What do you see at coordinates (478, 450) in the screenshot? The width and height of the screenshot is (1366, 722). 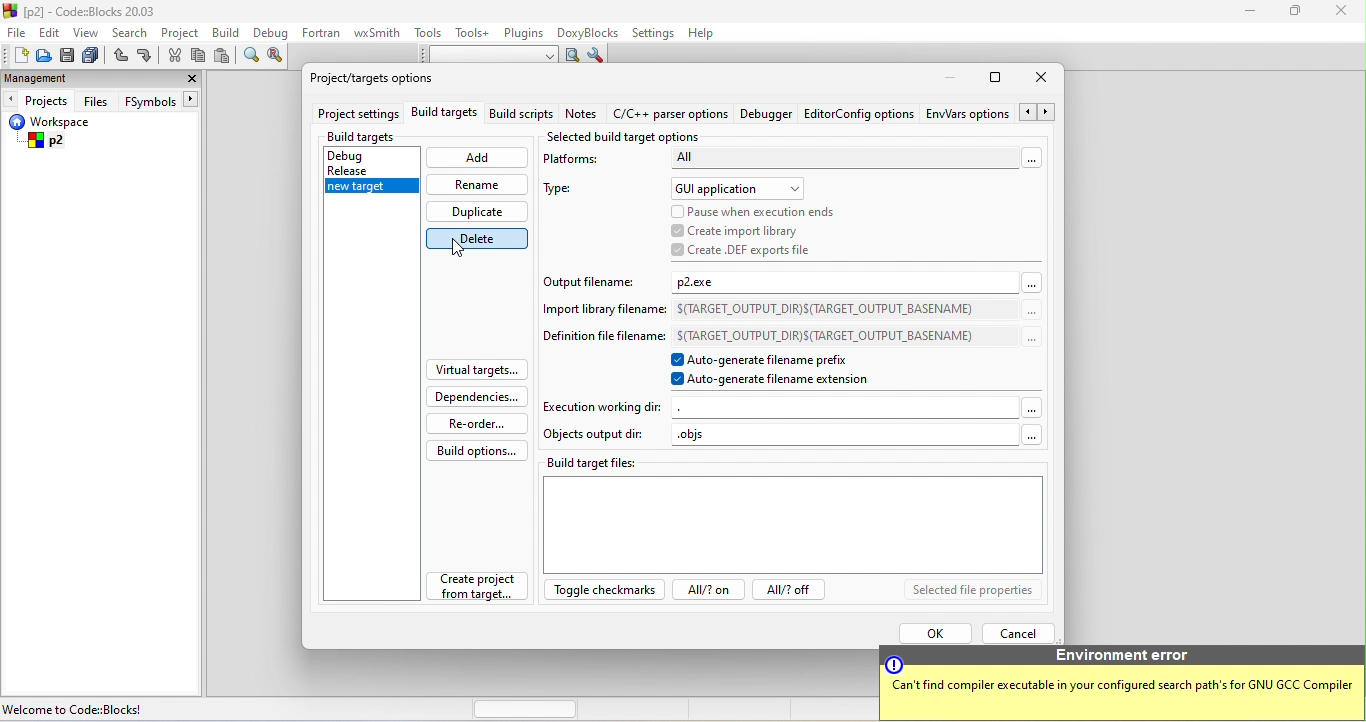 I see `build options` at bounding box center [478, 450].